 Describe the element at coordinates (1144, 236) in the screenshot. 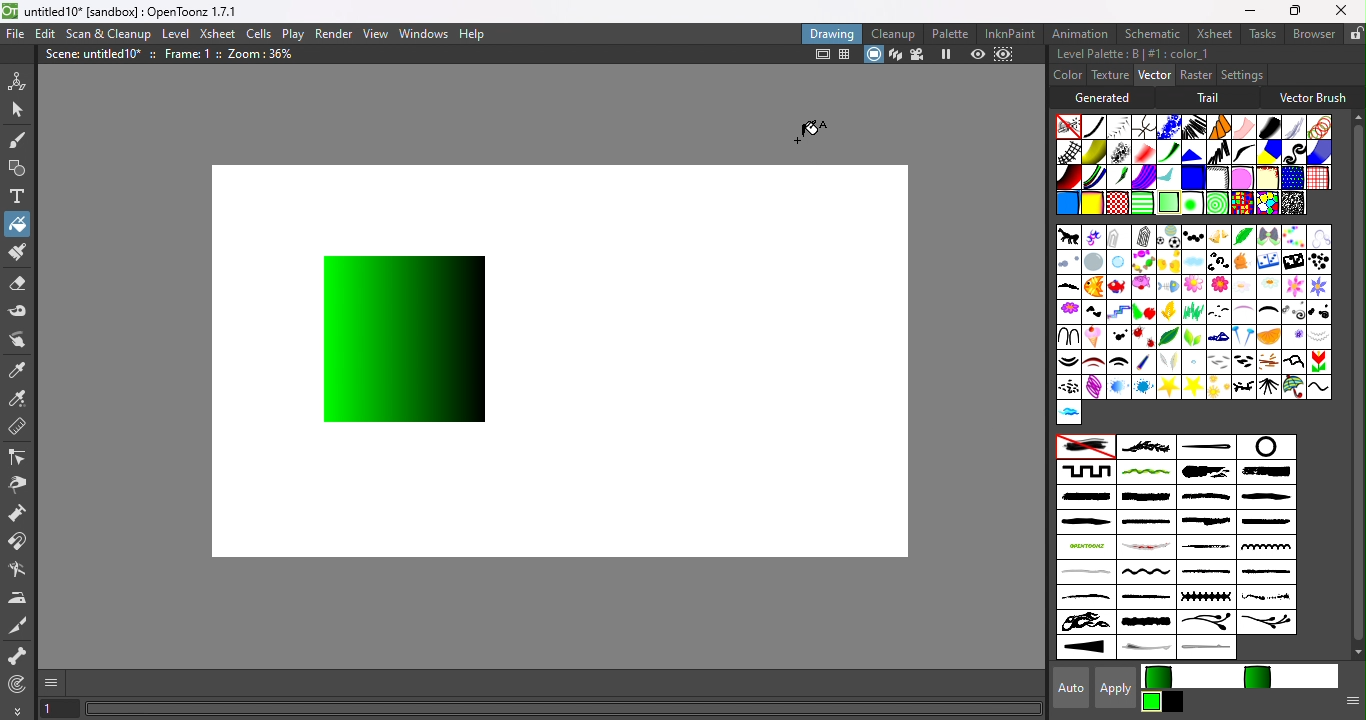

I see `atta` at that location.